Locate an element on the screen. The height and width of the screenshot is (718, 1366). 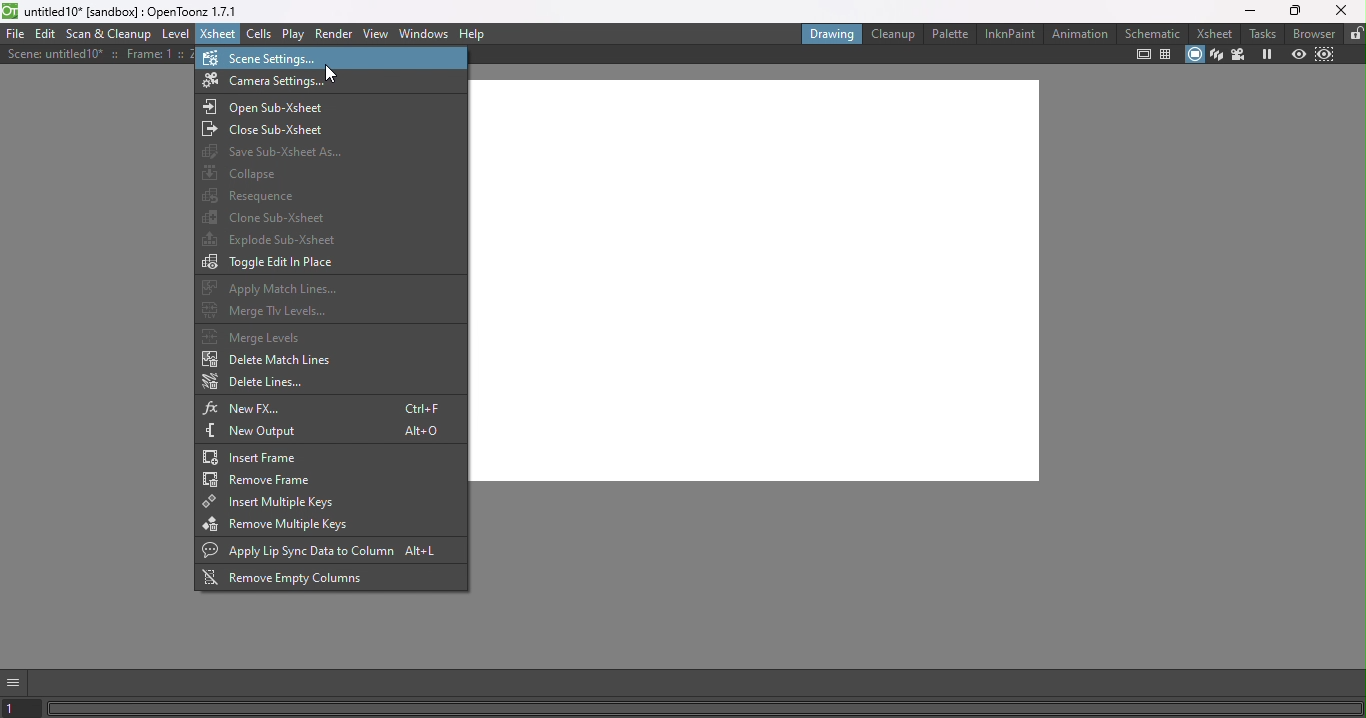
InknPaint is located at coordinates (1009, 32).